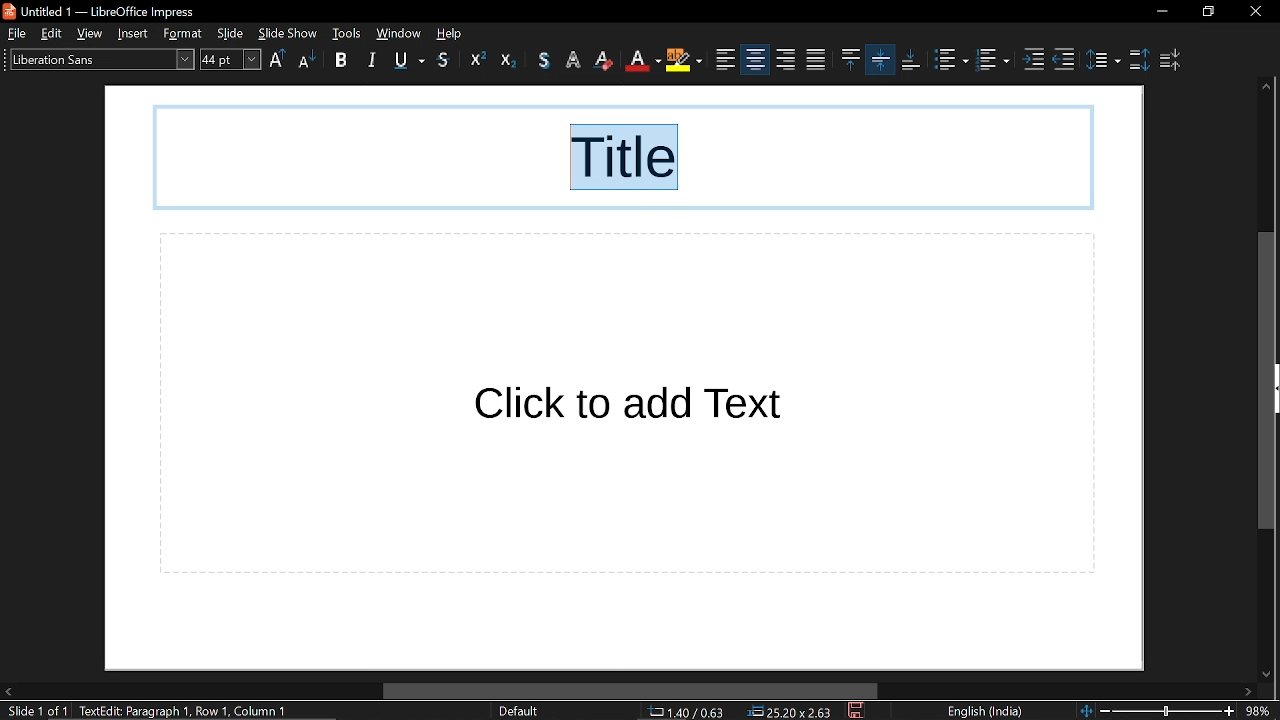 The height and width of the screenshot is (720, 1280). Describe the element at coordinates (627, 160) in the screenshot. I see `selected text` at that location.